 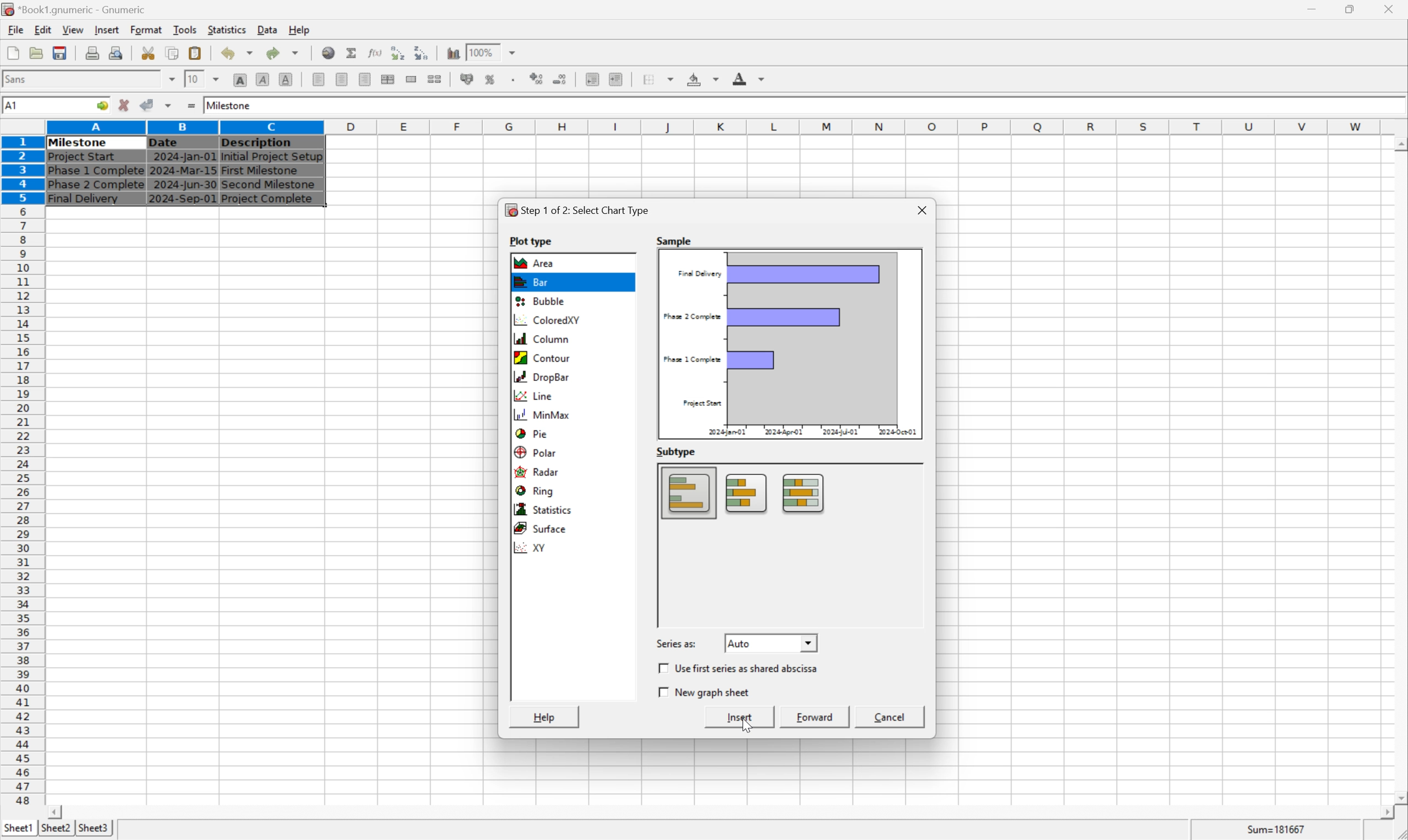 I want to click on edit, so click(x=44, y=29).